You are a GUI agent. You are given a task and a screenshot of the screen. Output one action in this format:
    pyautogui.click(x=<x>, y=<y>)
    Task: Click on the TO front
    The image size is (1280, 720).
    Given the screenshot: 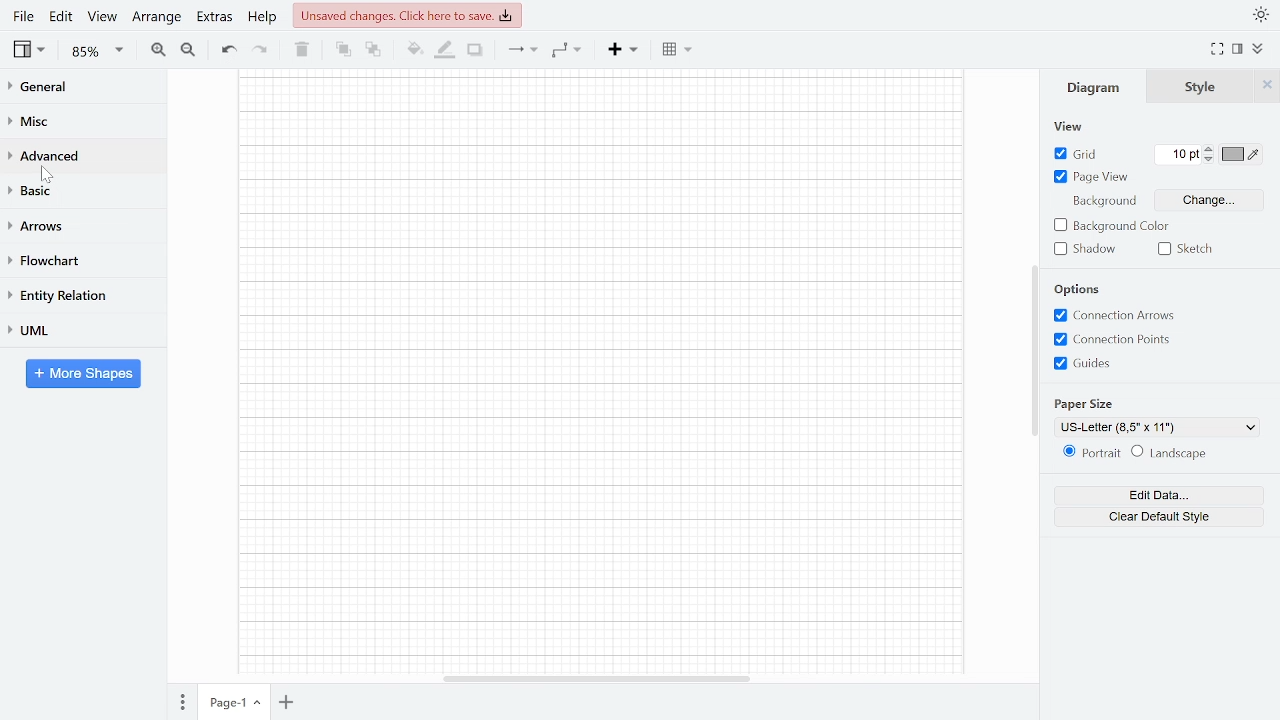 What is the action you would take?
    pyautogui.click(x=345, y=51)
    